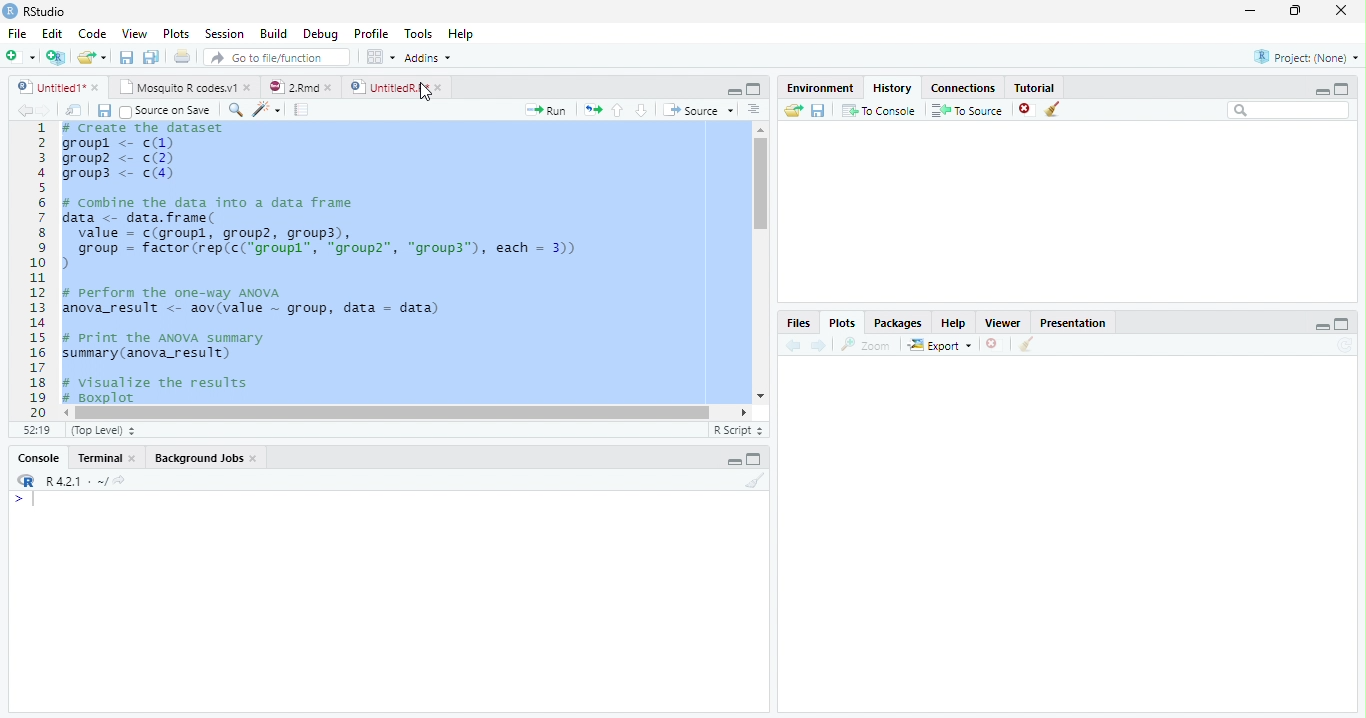 Image resolution: width=1366 pixels, height=718 pixels. Describe the element at coordinates (56, 57) in the screenshot. I see `Create a Project` at that location.